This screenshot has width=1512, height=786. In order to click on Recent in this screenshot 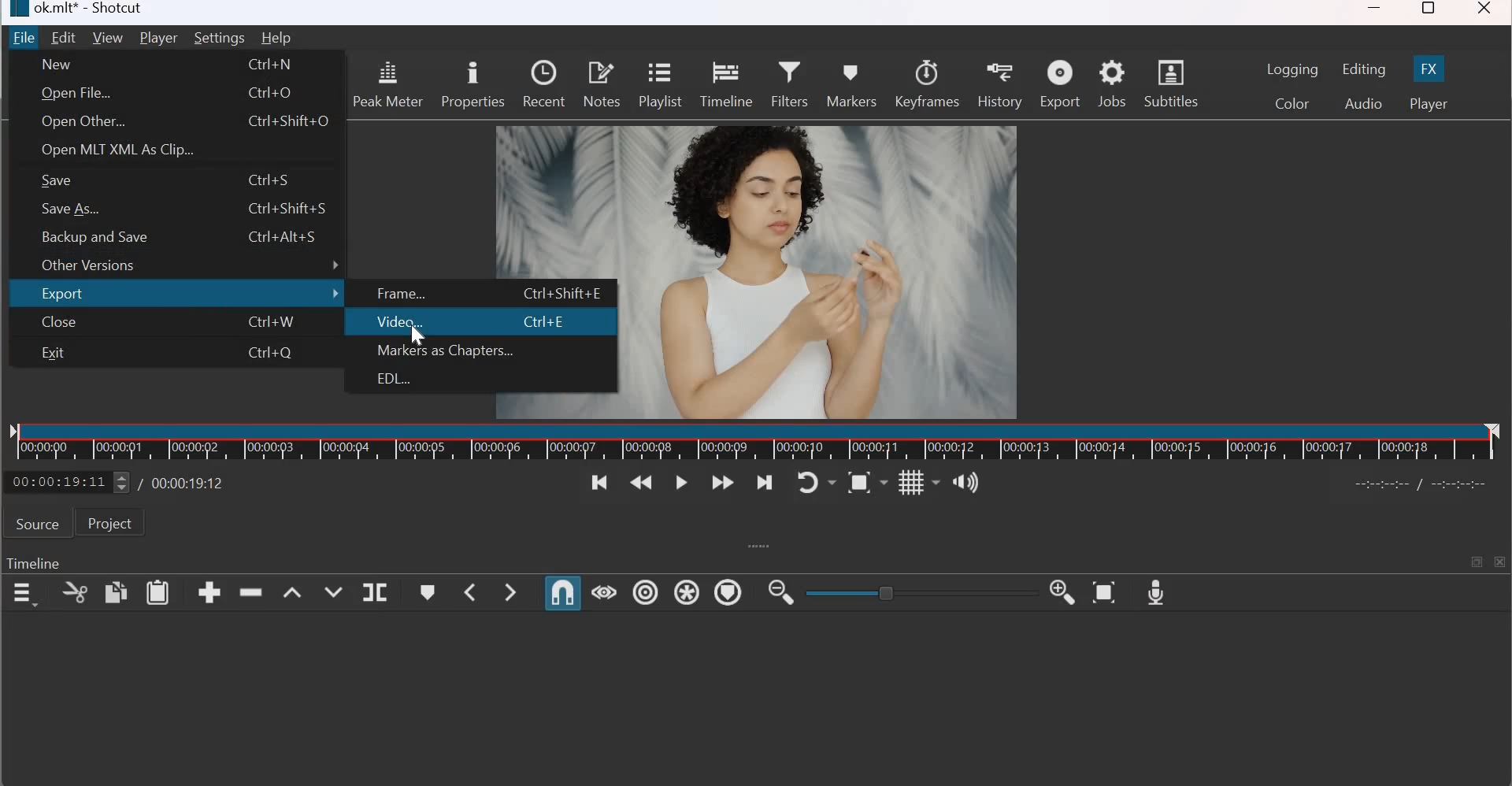, I will do `click(543, 82)`.